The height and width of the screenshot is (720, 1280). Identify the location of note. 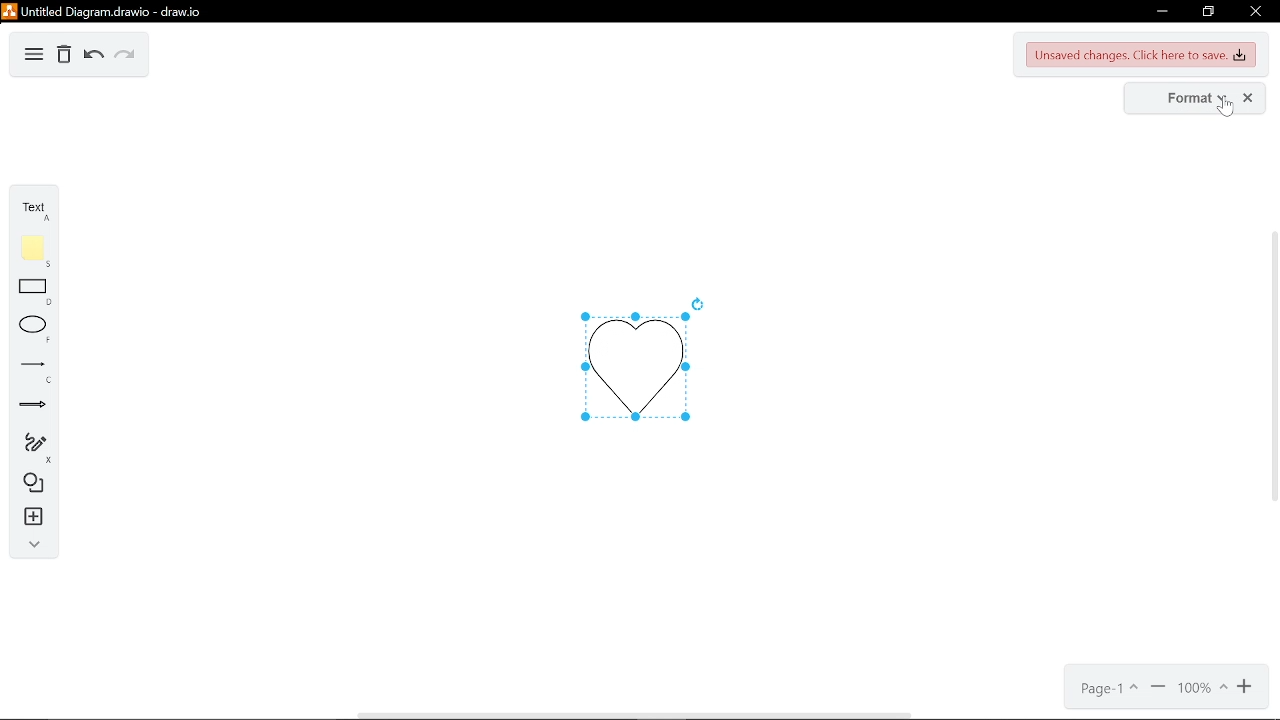
(32, 251).